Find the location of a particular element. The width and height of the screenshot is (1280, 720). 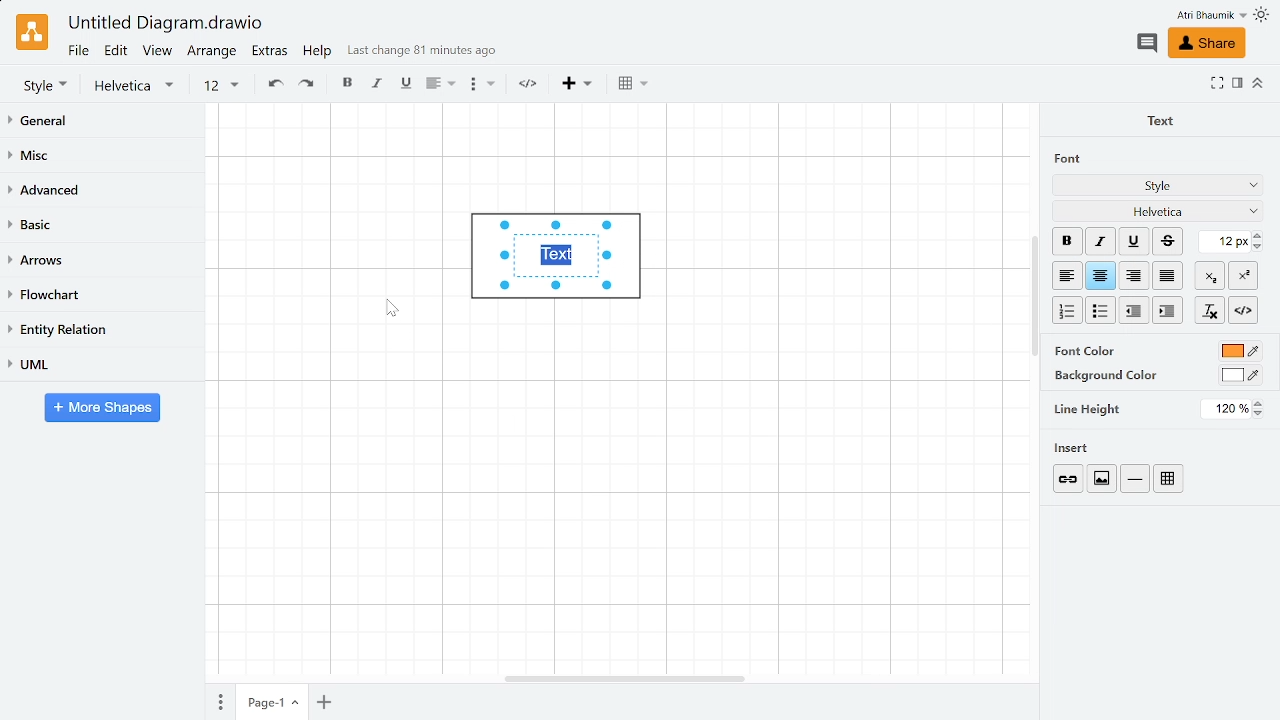

Text color change is located at coordinates (554, 257).